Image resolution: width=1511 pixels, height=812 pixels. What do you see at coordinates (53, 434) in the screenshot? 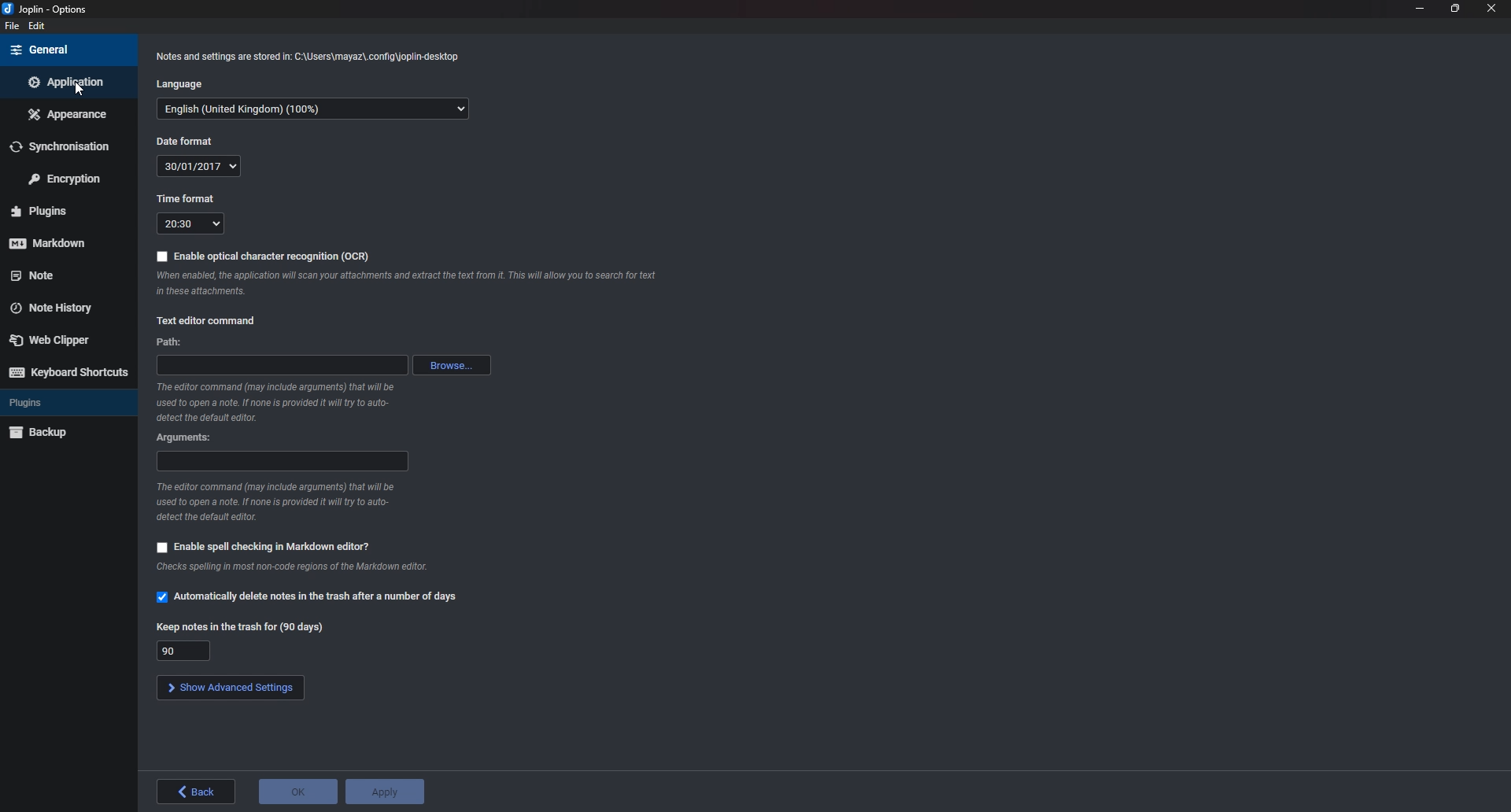
I see `Backup` at bounding box center [53, 434].